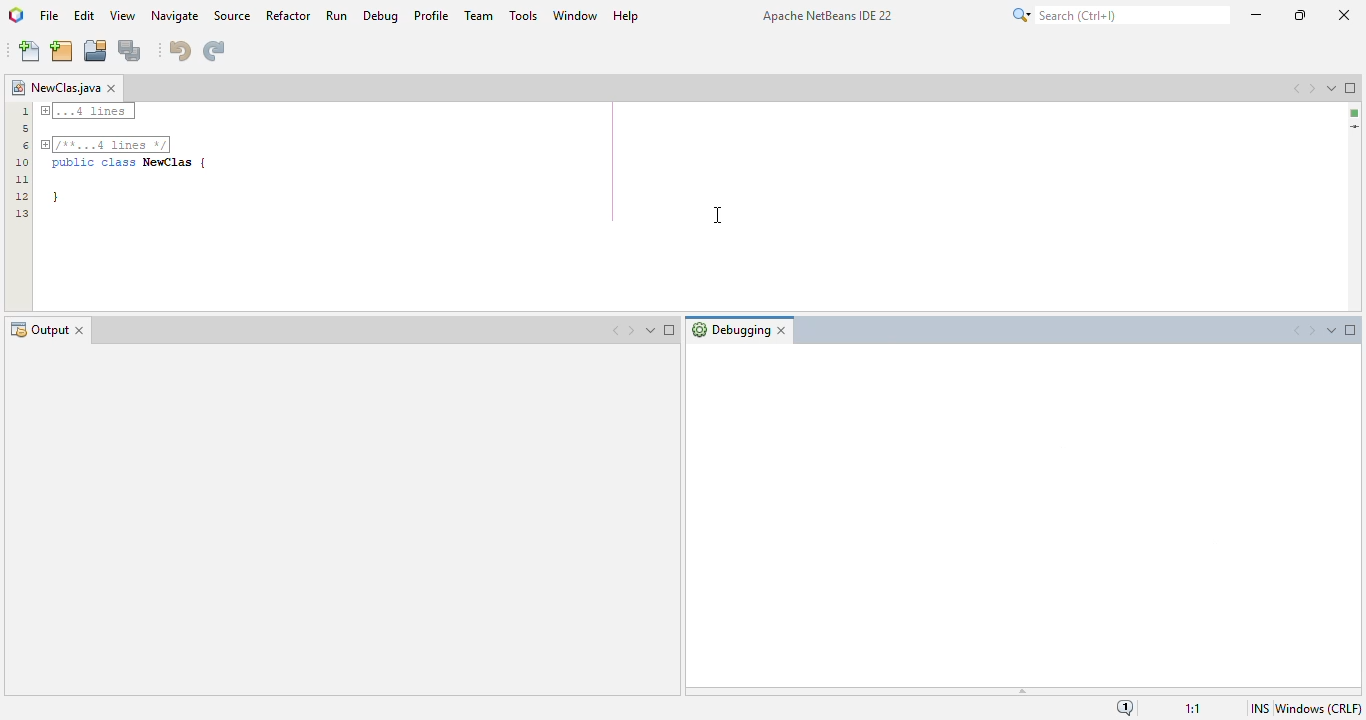 This screenshot has height=720, width=1366. Describe the element at coordinates (1126, 707) in the screenshot. I see `notifications` at that location.